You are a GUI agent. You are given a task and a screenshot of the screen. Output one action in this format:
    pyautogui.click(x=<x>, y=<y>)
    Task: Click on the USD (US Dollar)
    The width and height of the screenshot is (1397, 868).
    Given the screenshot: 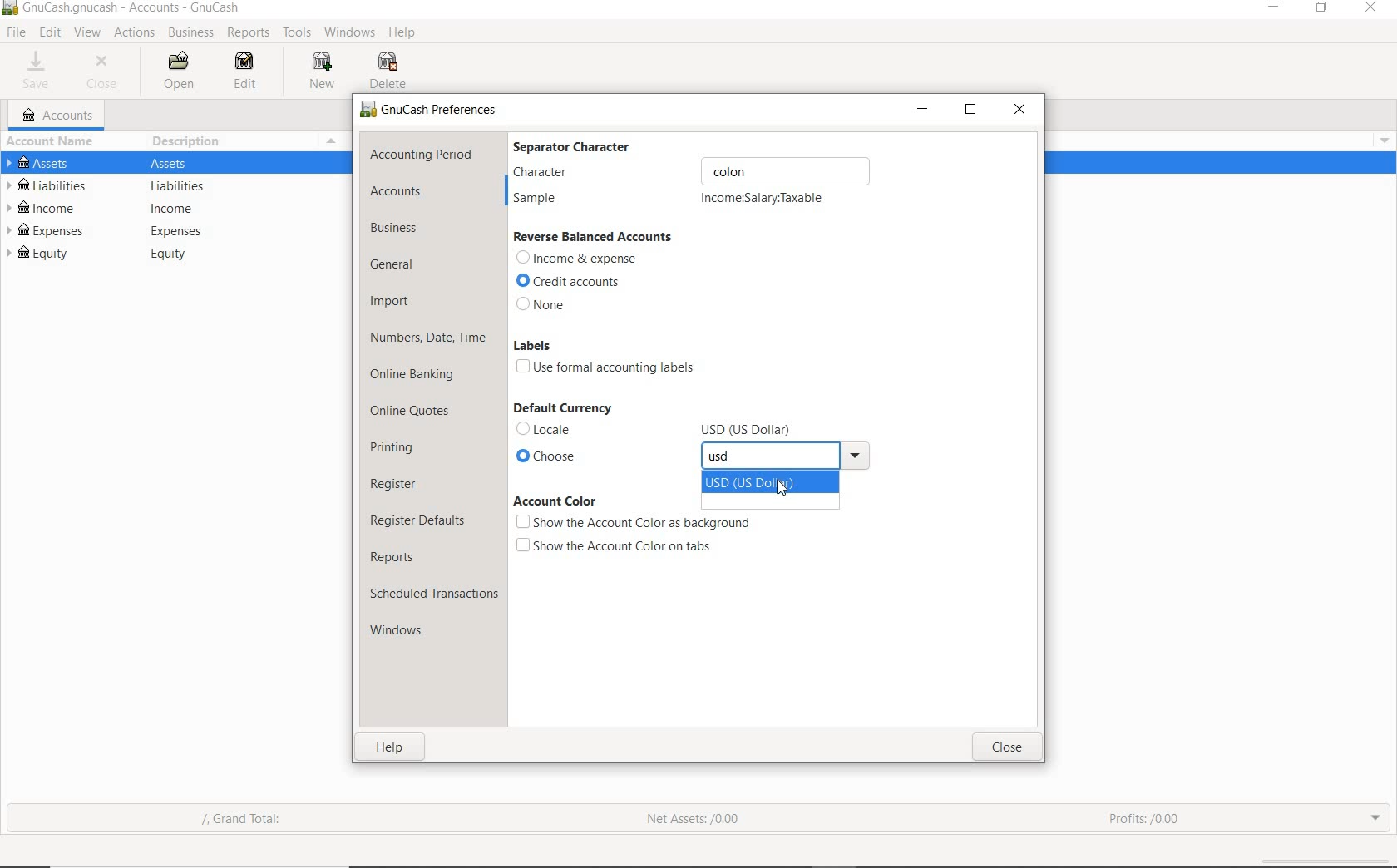 What is the action you would take?
    pyautogui.click(x=765, y=481)
    